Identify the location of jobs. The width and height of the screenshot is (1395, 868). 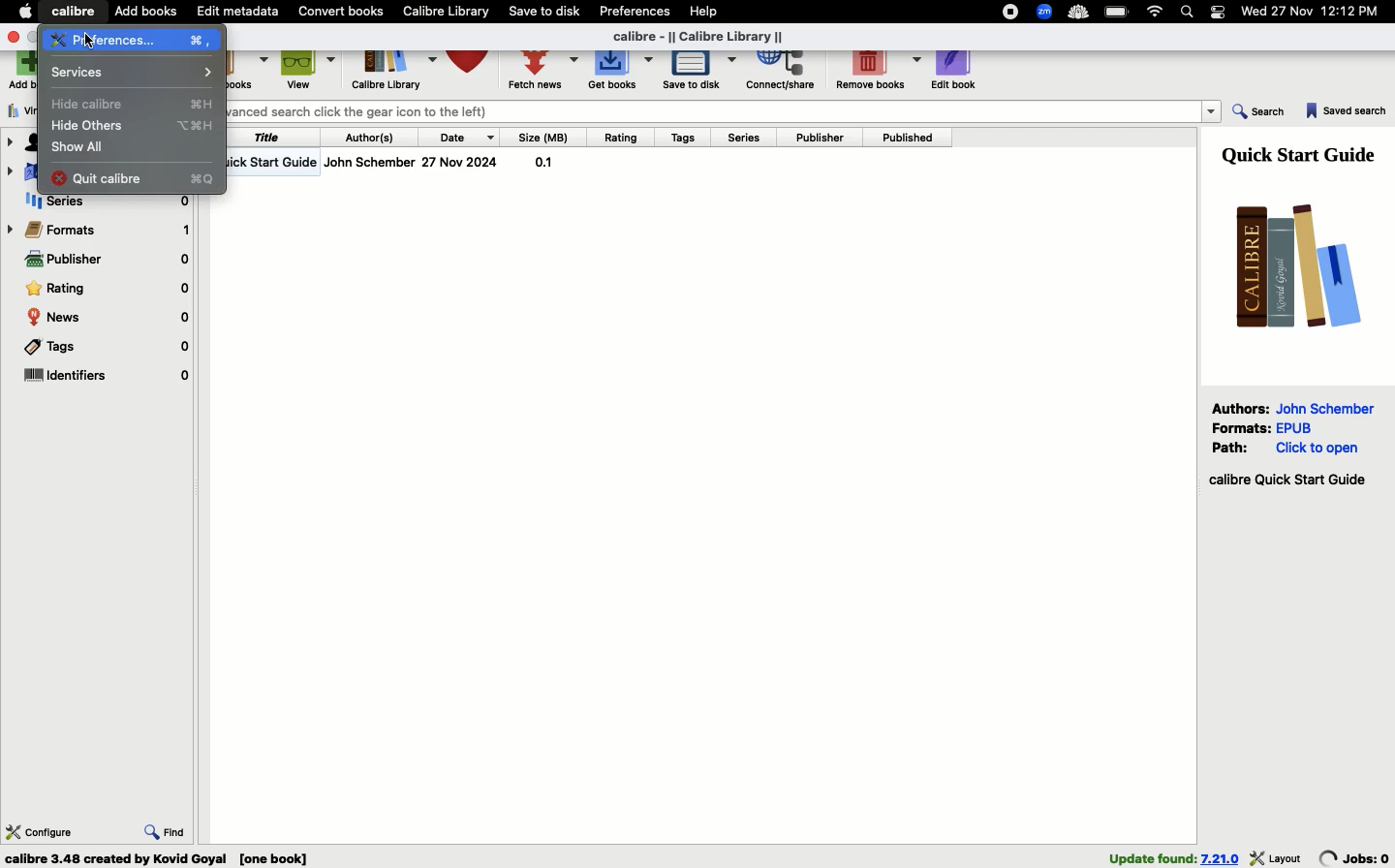
(1355, 857).